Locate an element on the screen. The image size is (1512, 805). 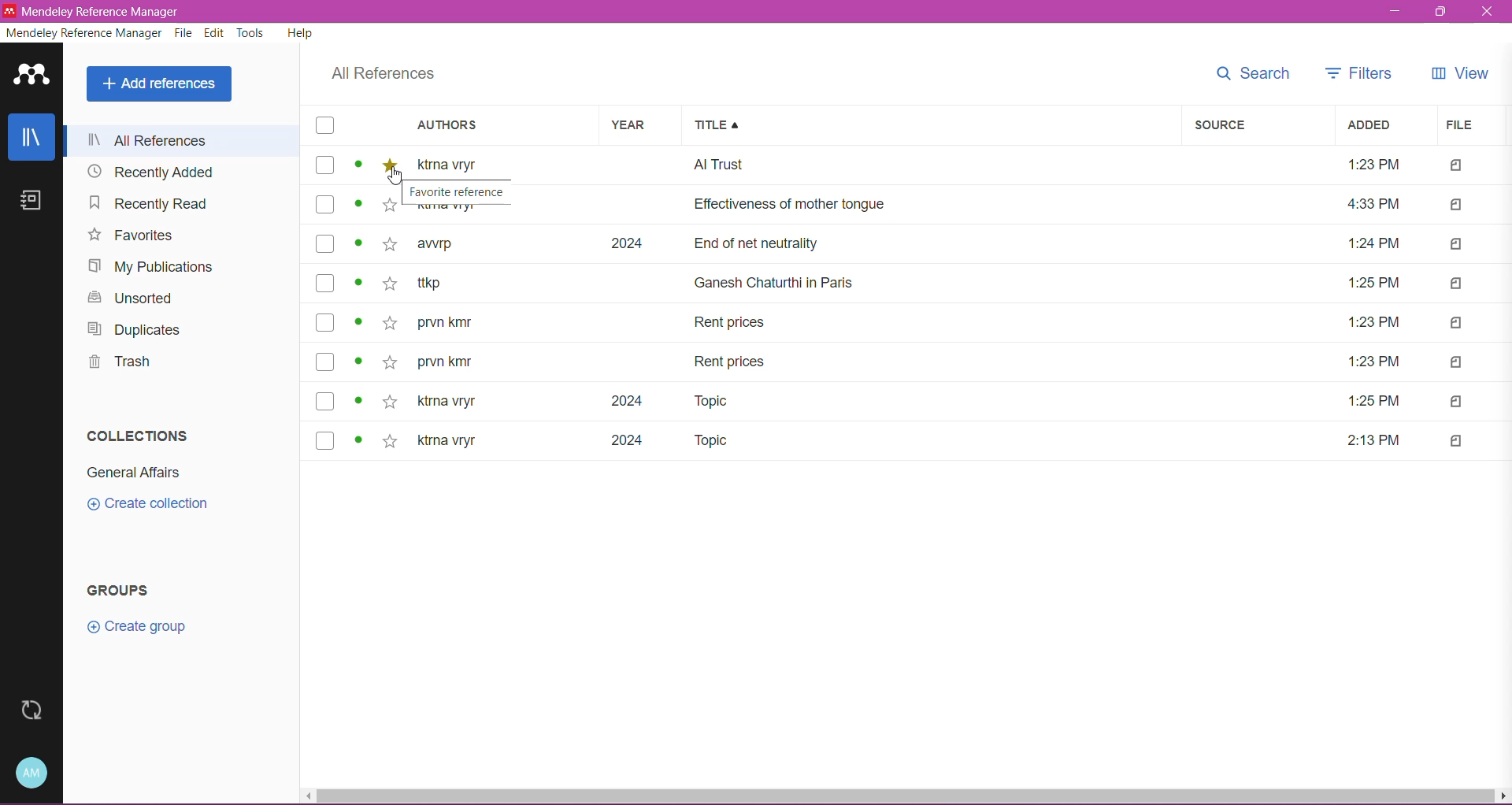
Indicates file type is located at coordinates (1457, 284).